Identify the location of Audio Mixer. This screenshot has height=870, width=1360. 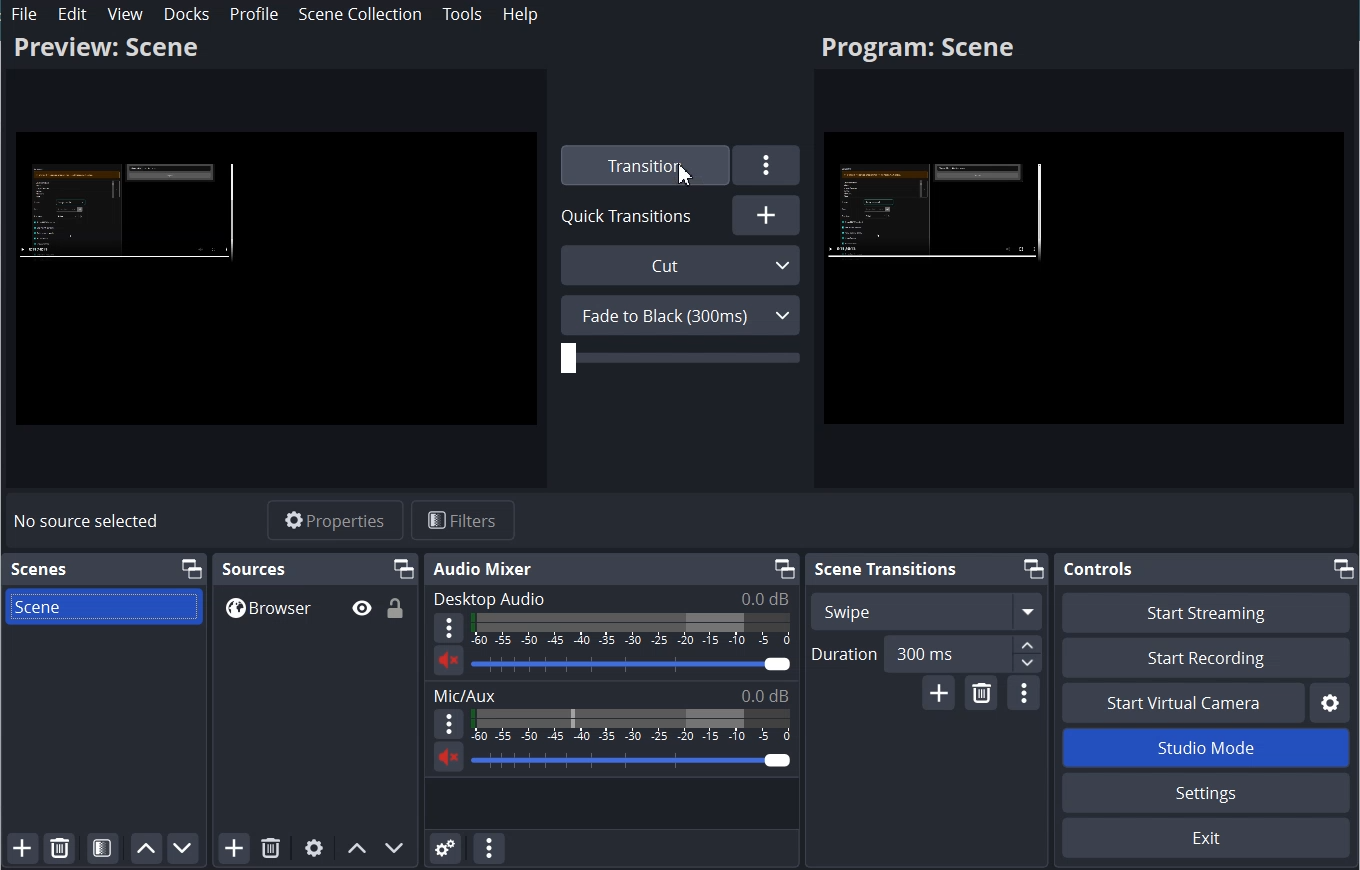
(485, 569).